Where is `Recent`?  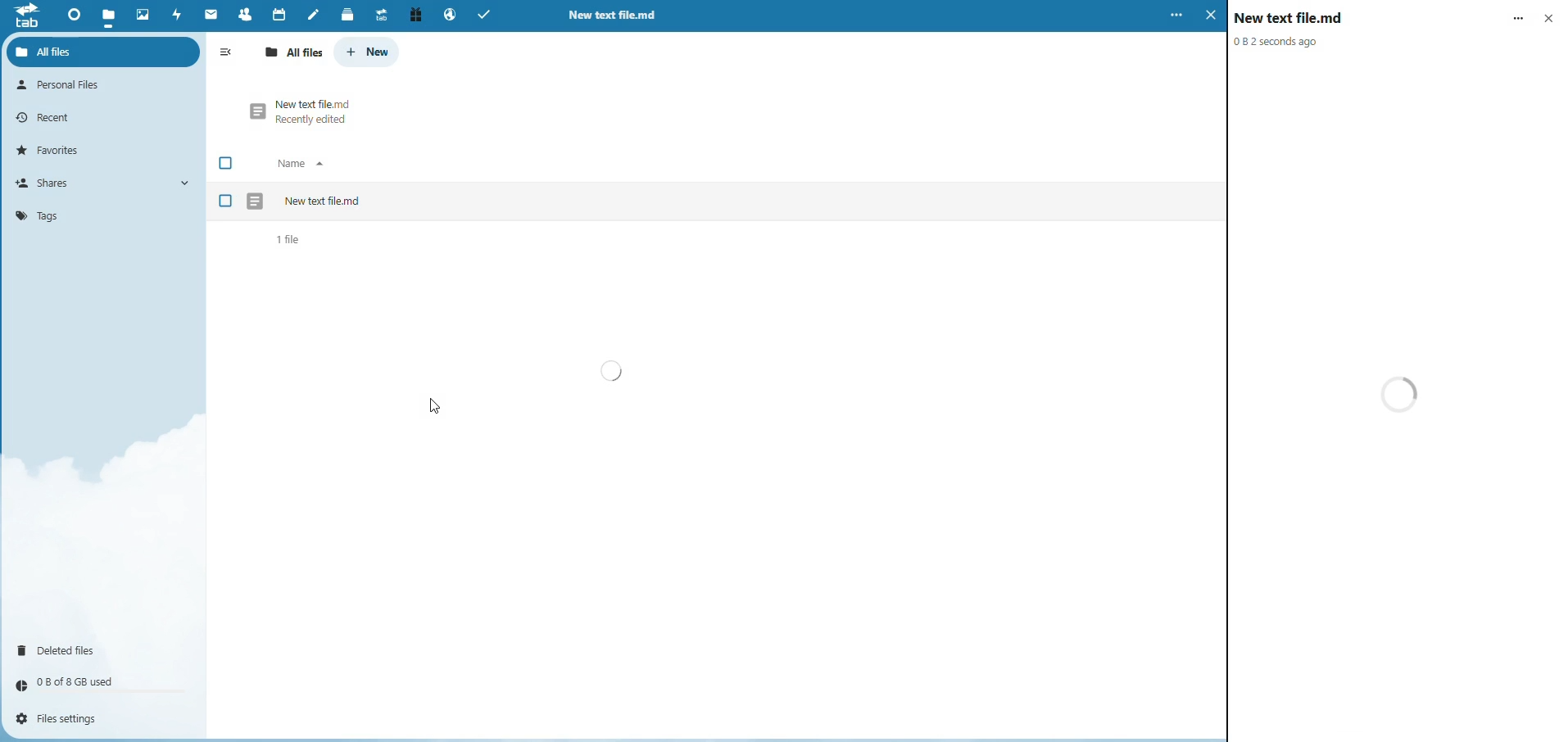 Recent is located at coordinates (50, 116).